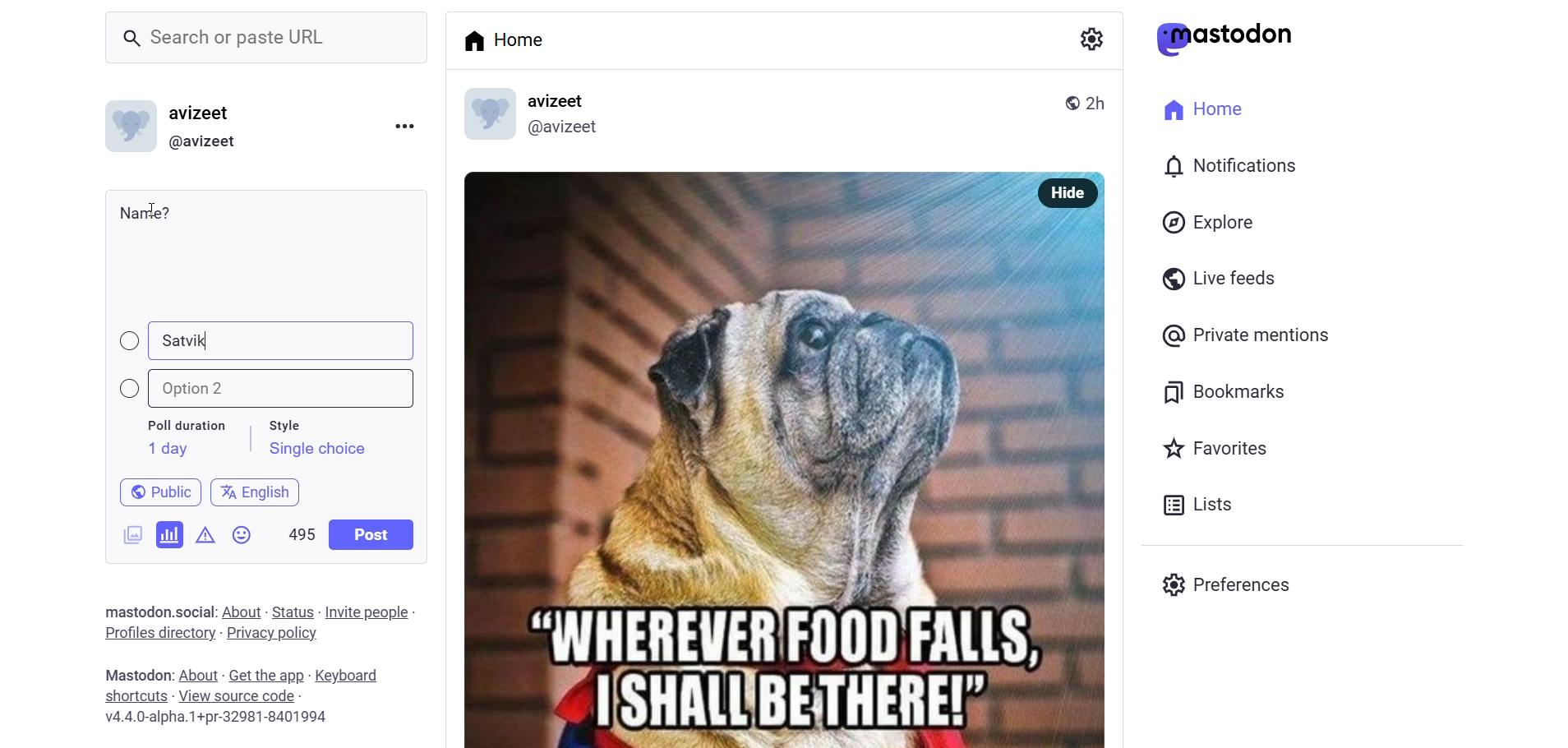 The width and height of the screenshot is (1568, 748). I want to click on english, so click(256, 489).